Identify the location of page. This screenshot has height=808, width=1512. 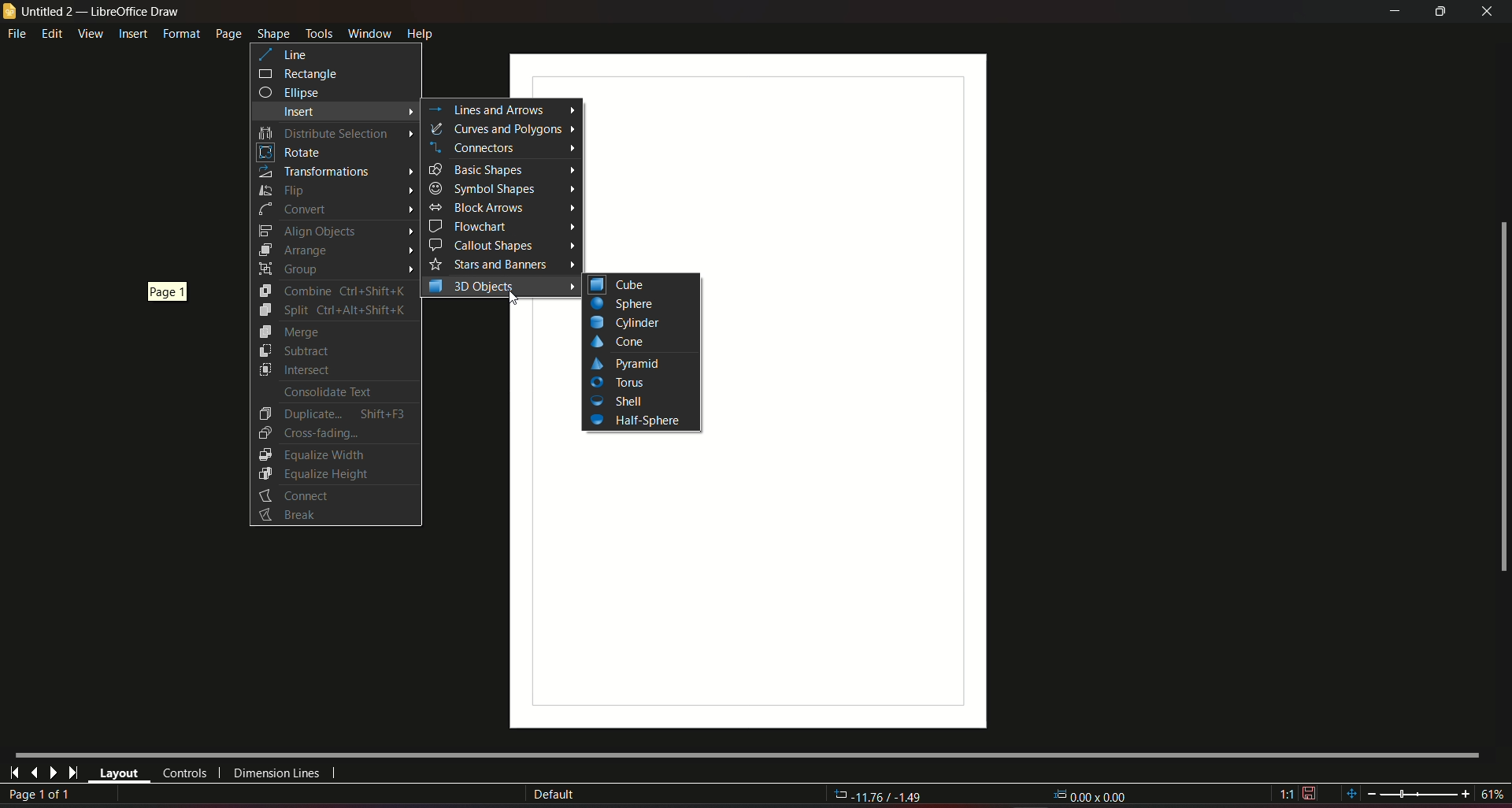
(227, 34).